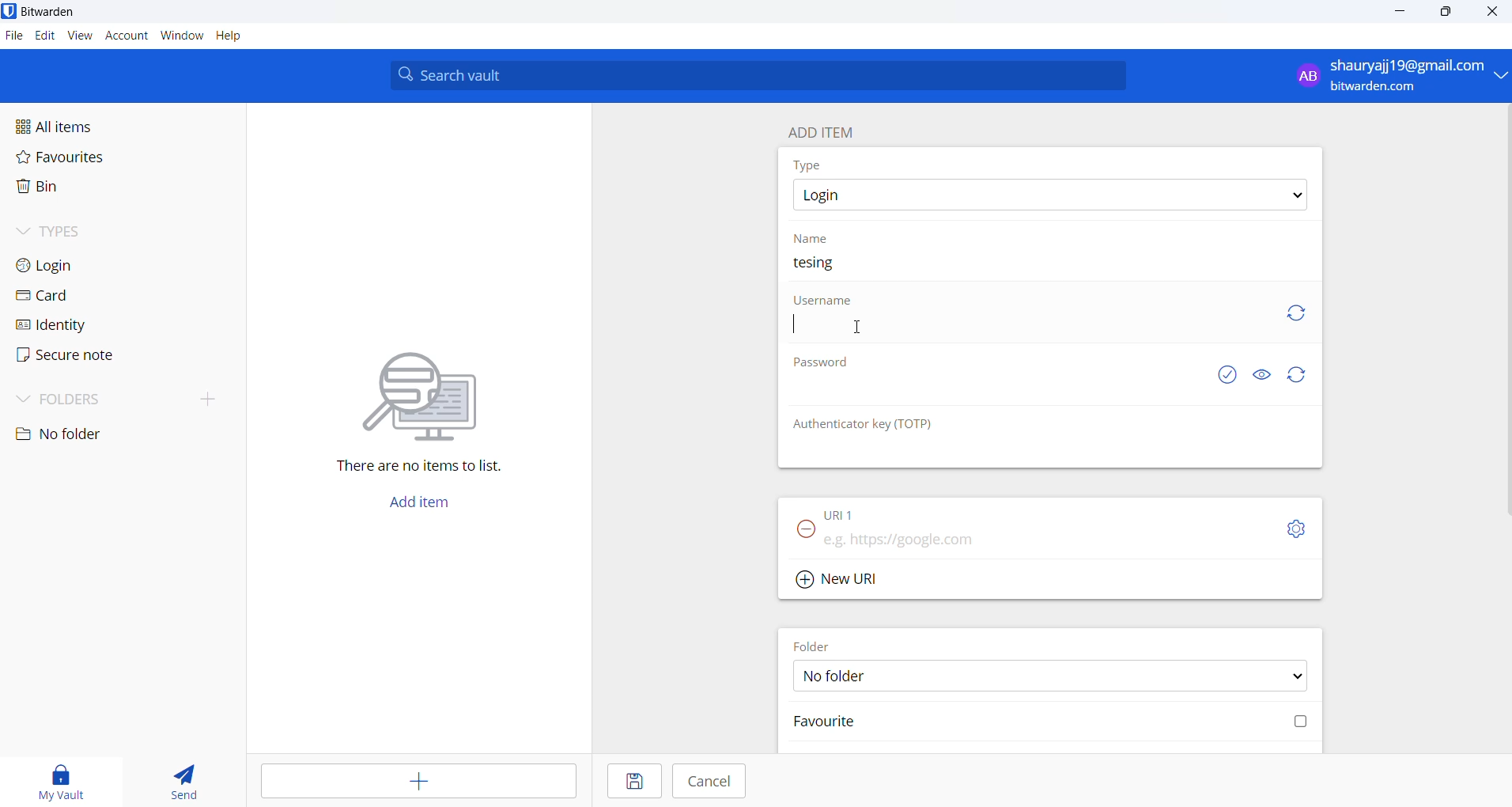 The height and width of the screenshot is (807, 1512). Describe the element at coordinates (409, 468) in the screenshot. I see `sentence mentioning that there are no items in vault l` at that location.